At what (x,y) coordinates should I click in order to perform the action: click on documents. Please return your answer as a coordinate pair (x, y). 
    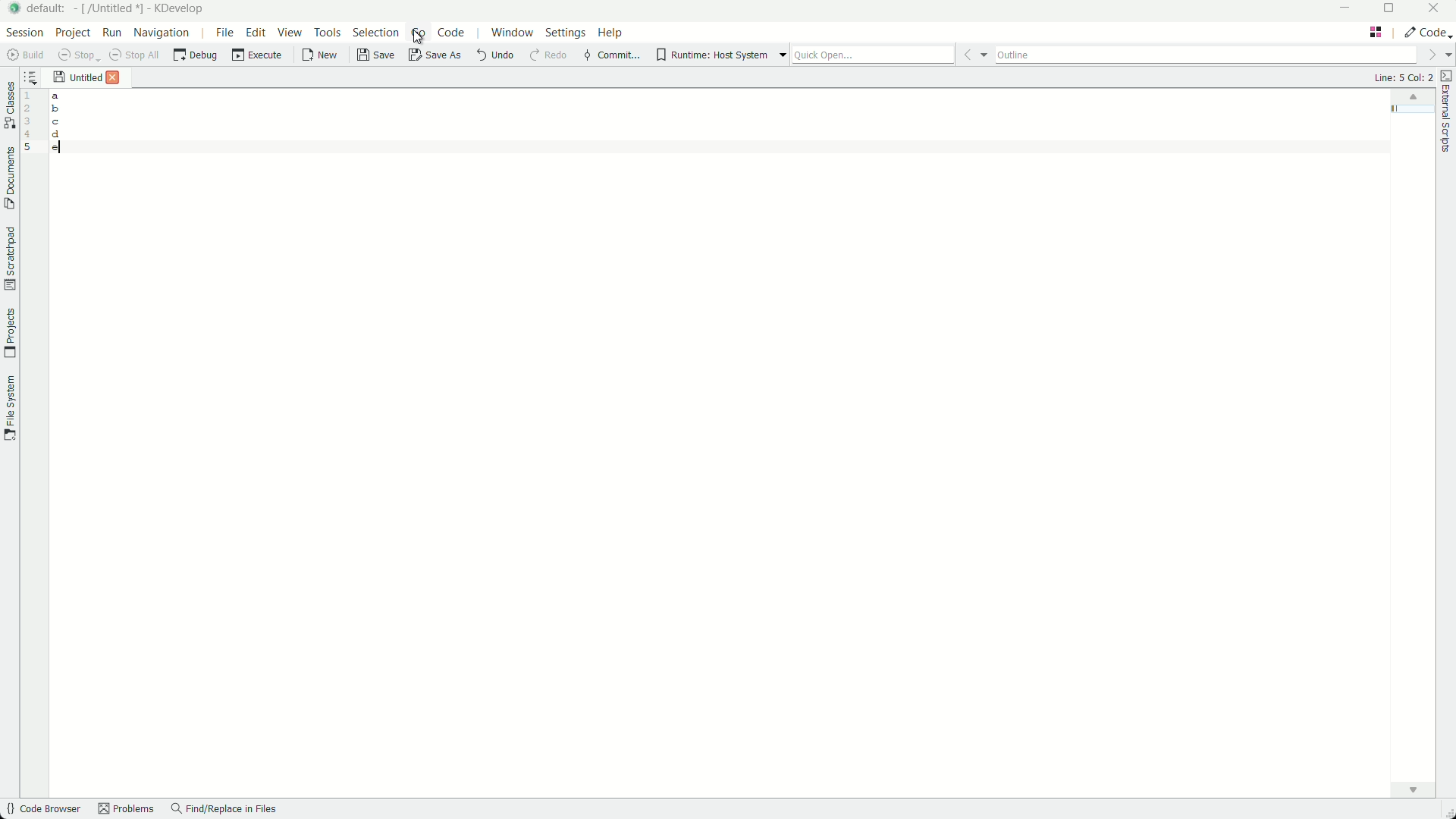
    Looking at the image, I should click on (9, 180).